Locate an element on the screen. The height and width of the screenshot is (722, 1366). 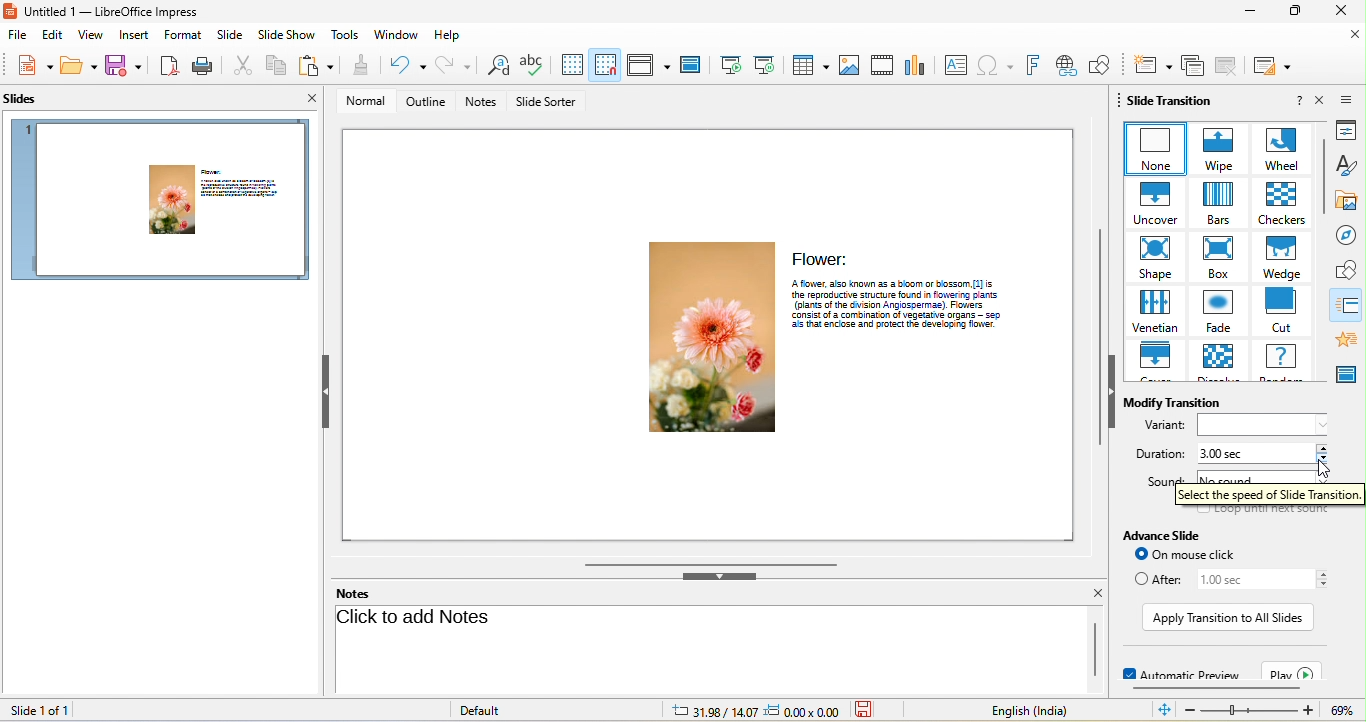
fade is located at coordinates (1216, 313).